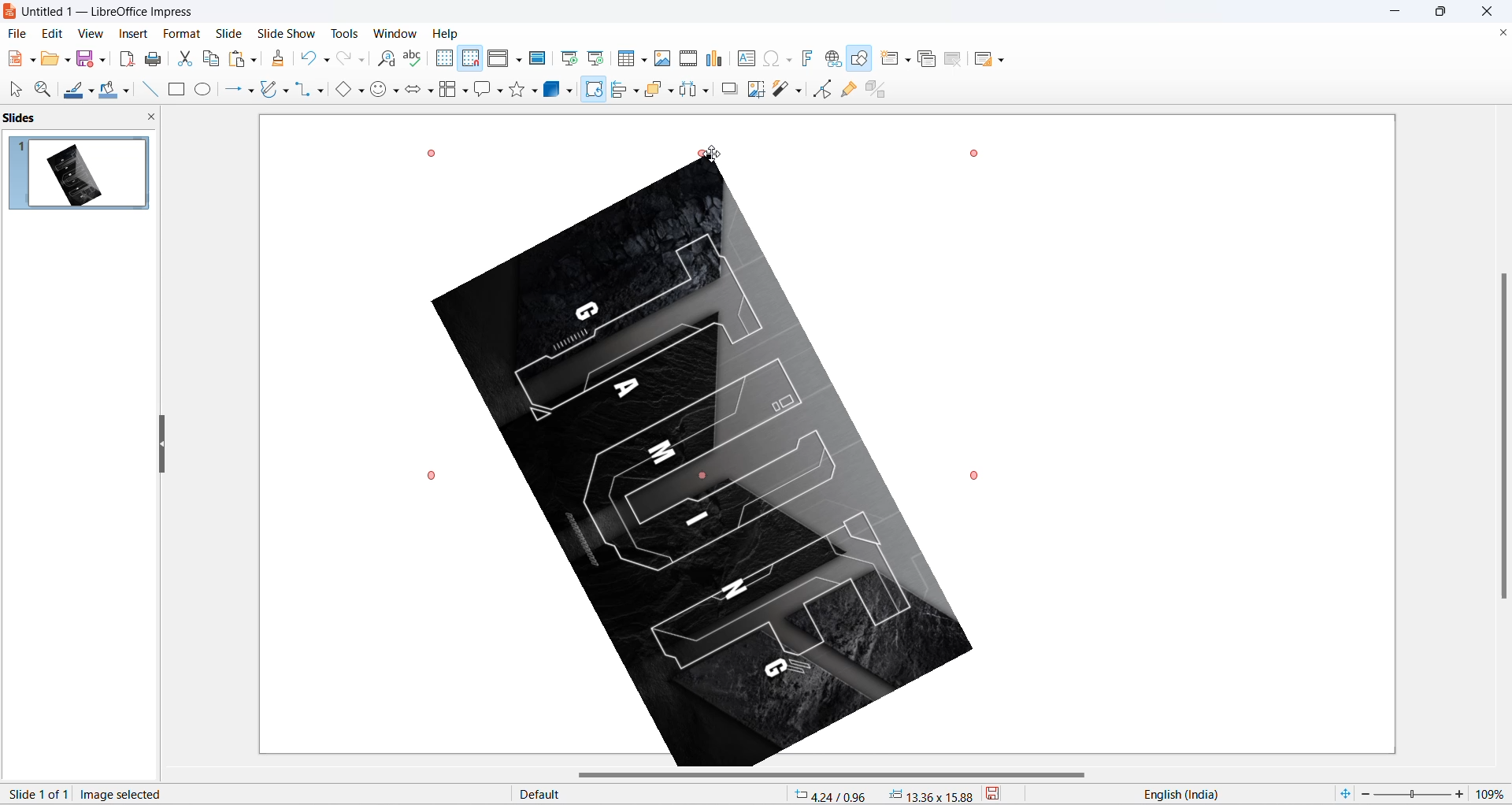  Describe the element at coordinates (1447, 14) in the screenshot. I see `maximize` at that location.